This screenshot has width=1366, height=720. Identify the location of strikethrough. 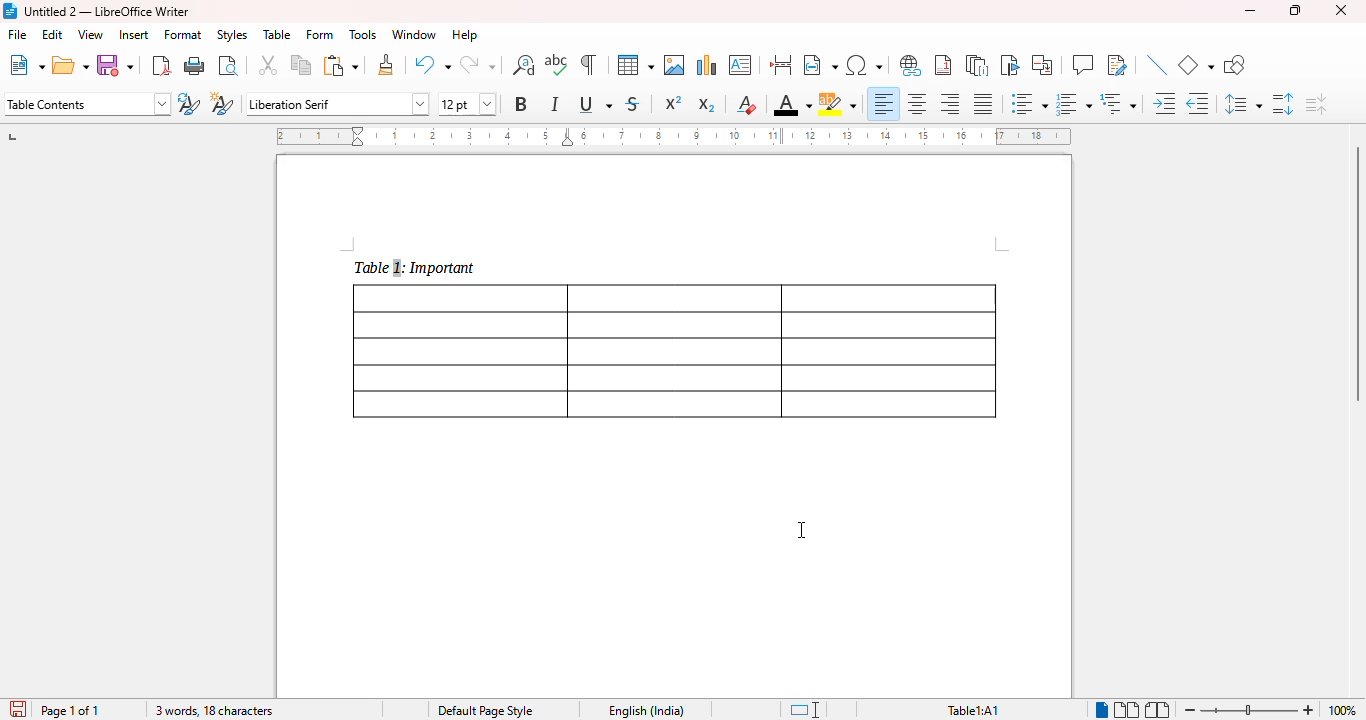
(633, 105).